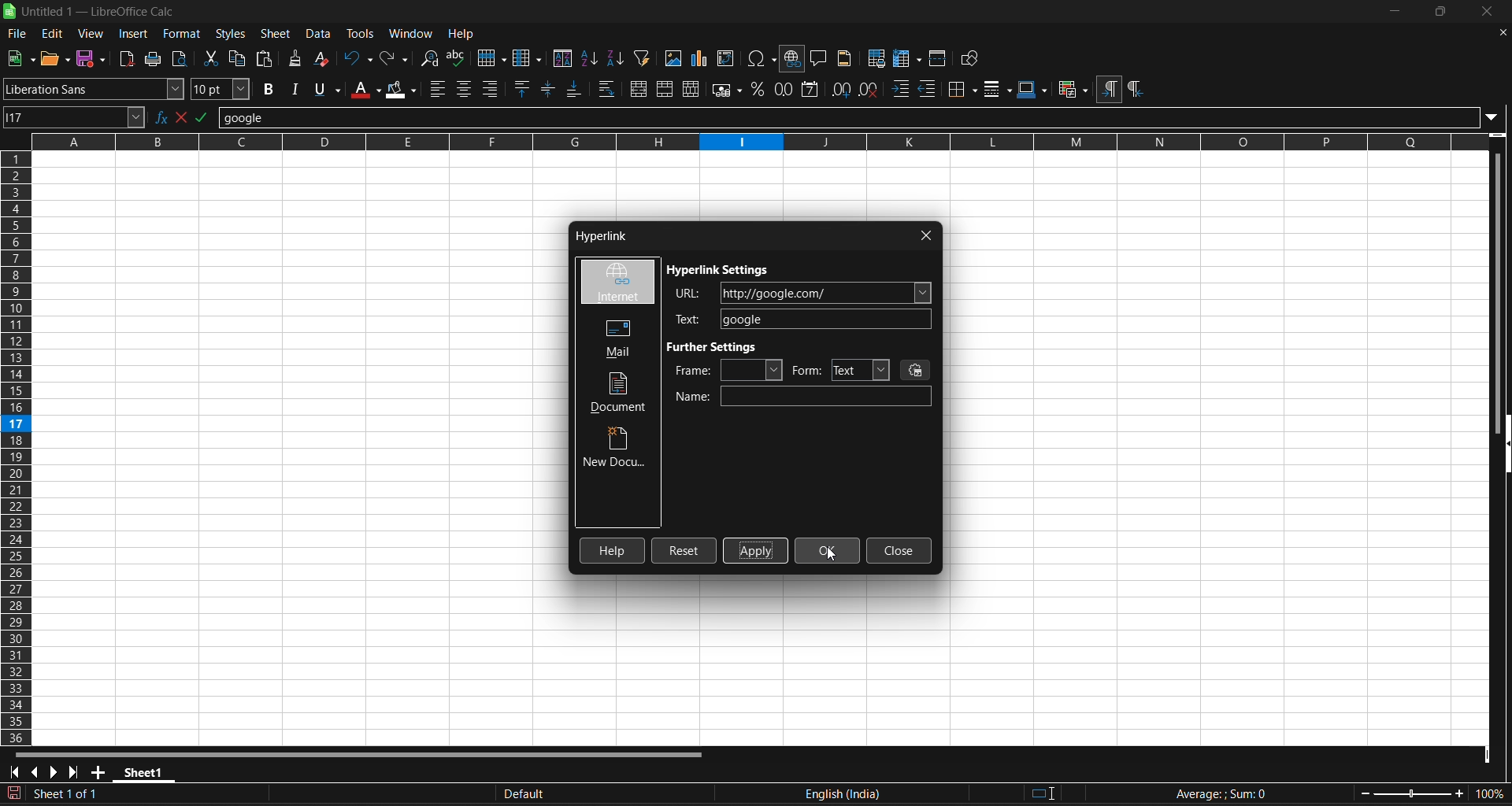  What do you see at coordinates (91, 33) in the screenshot?
I see `view` at bounding box center [91, 33].